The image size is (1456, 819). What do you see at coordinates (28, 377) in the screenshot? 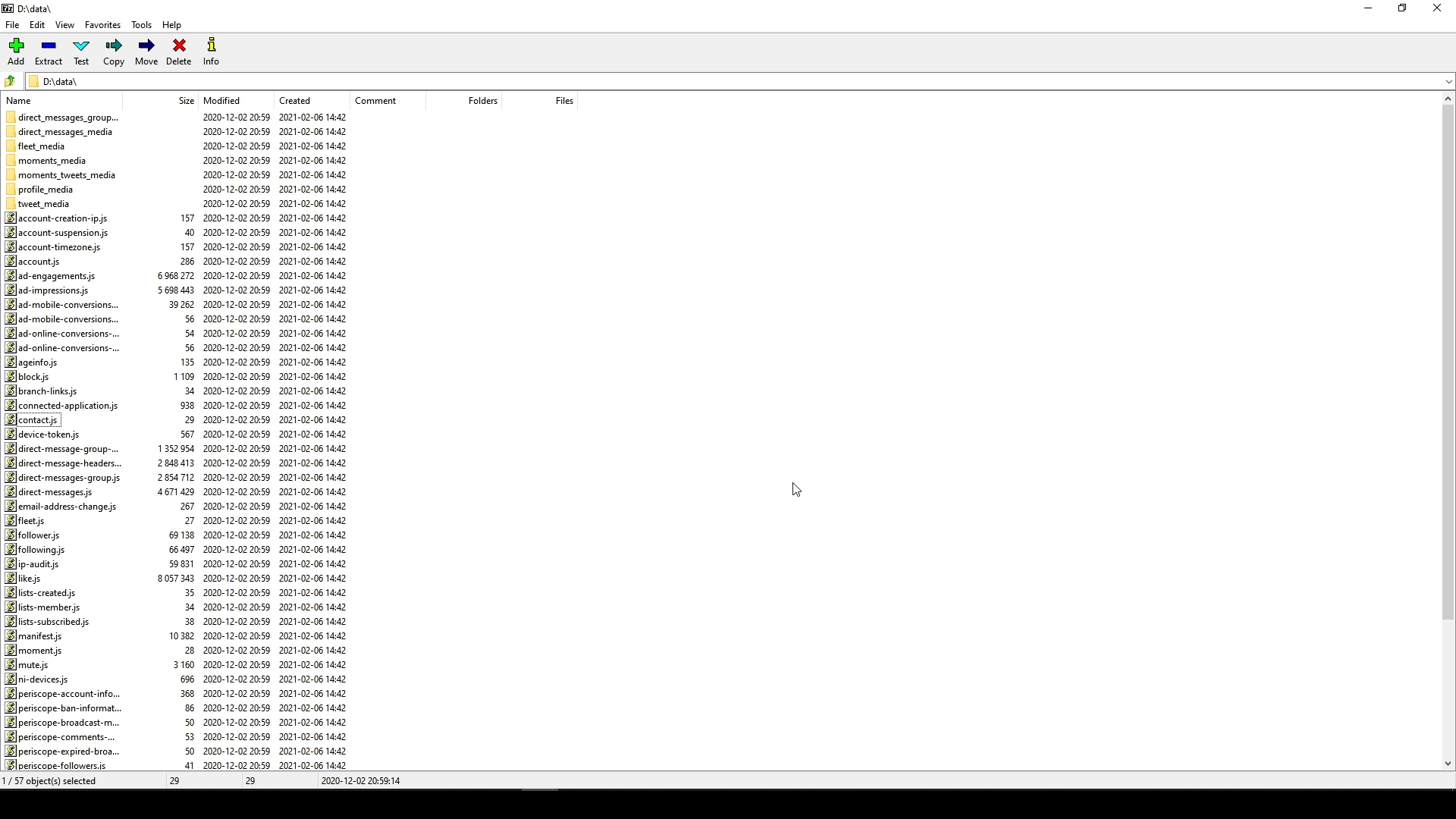
I see `block.js` at bounding box center [28, 377].